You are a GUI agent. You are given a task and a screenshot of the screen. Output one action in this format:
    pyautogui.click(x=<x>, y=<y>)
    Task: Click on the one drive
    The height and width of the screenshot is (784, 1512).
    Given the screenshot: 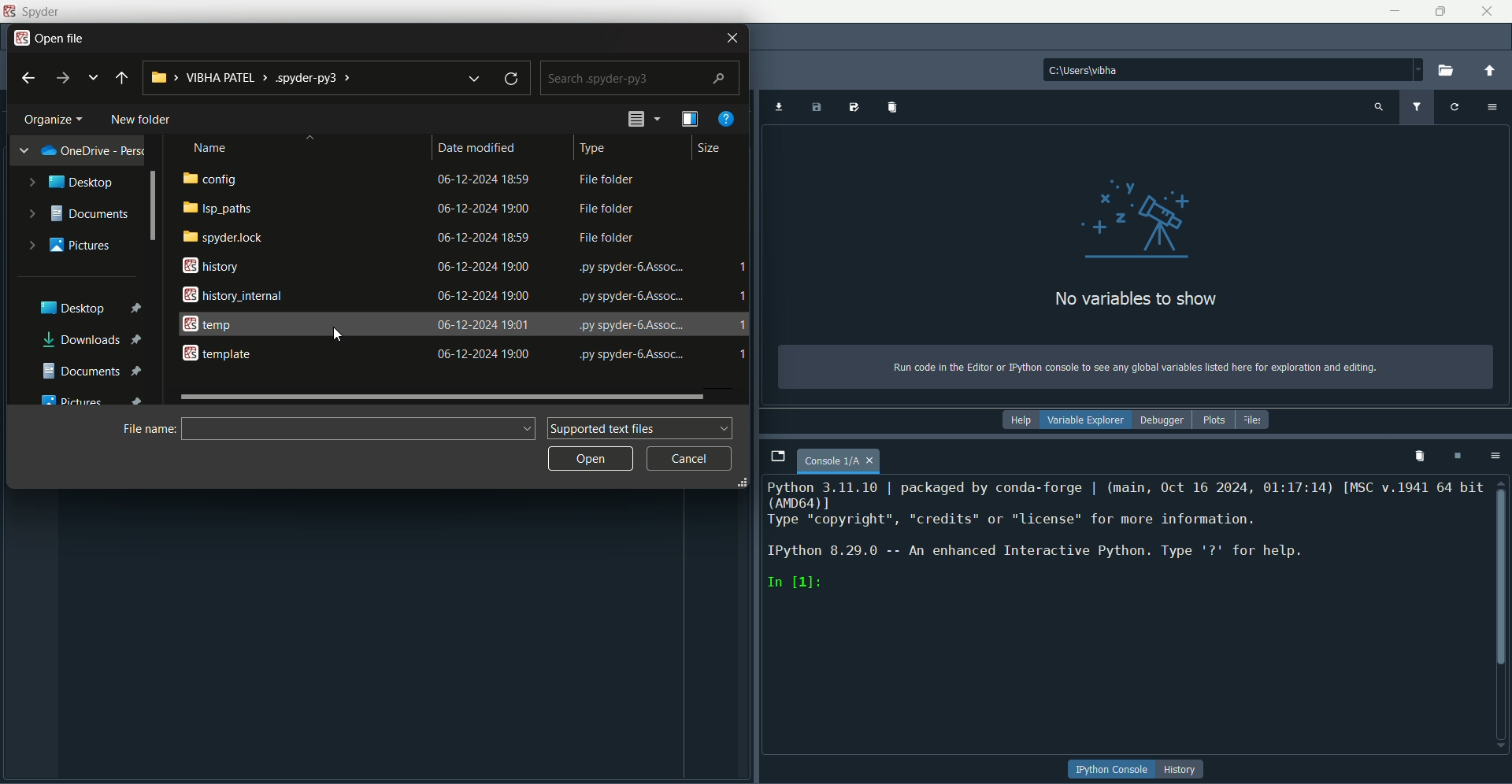 What is the action you would take?
    pyautogui.click(x=84, y=150)
    